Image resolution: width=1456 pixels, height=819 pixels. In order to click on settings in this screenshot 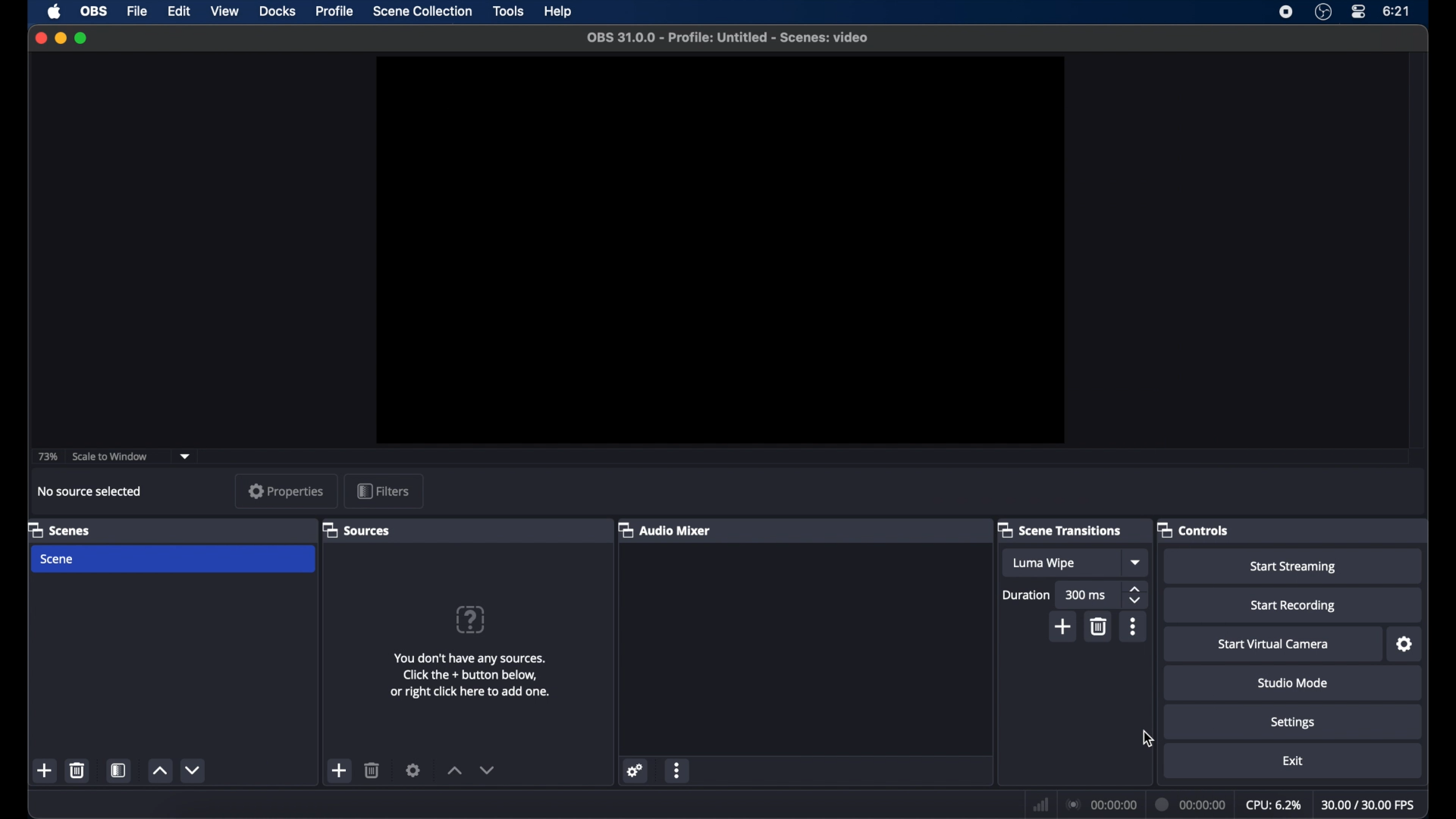, I will do `click(635, 770)`.